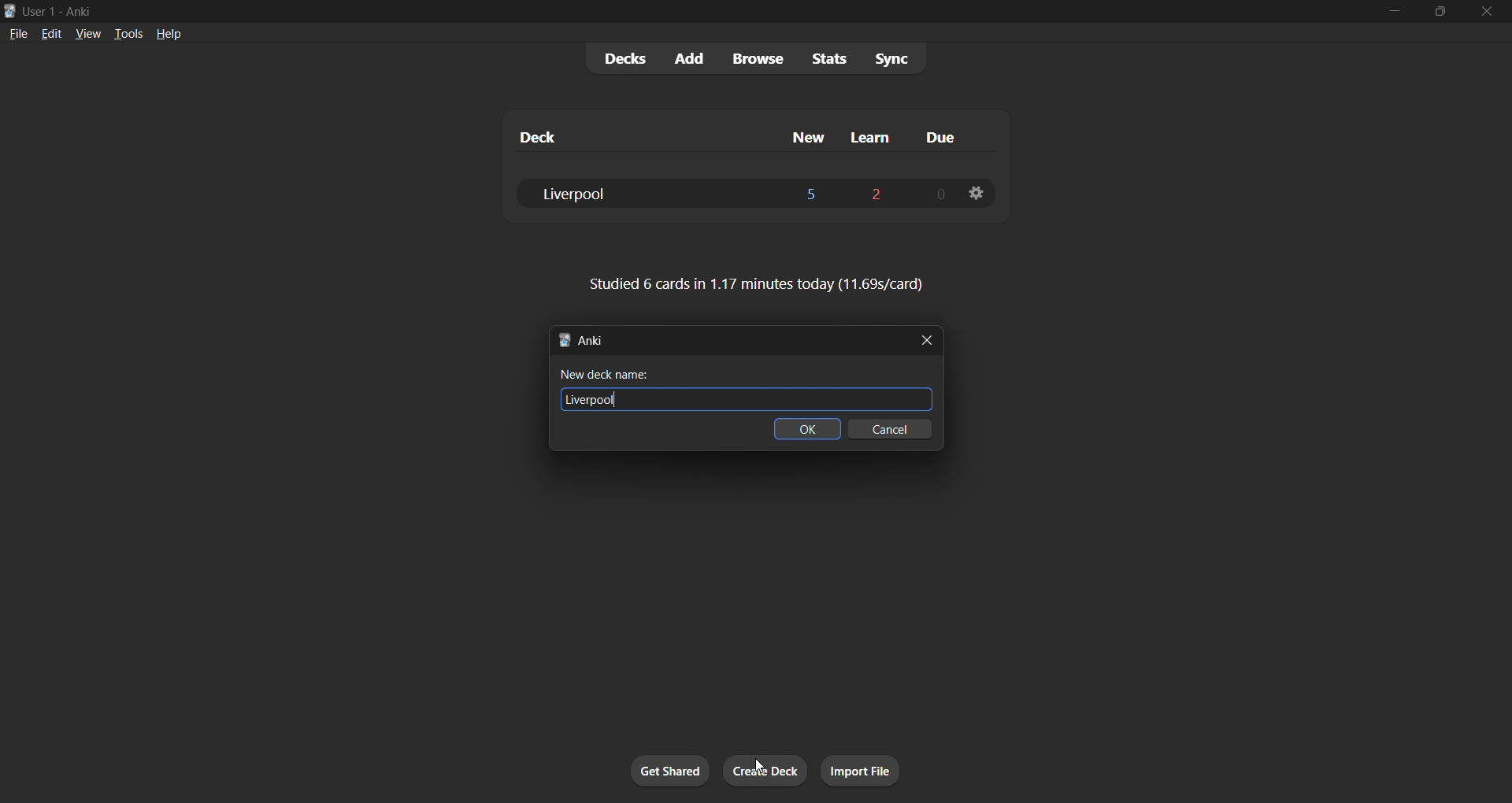 Image resolution: width=1512 pixels, height=803 pixels. What do you see at coordinates (46, 33) in the screenshot?
I see `edit` at bounding box center [46, 33].